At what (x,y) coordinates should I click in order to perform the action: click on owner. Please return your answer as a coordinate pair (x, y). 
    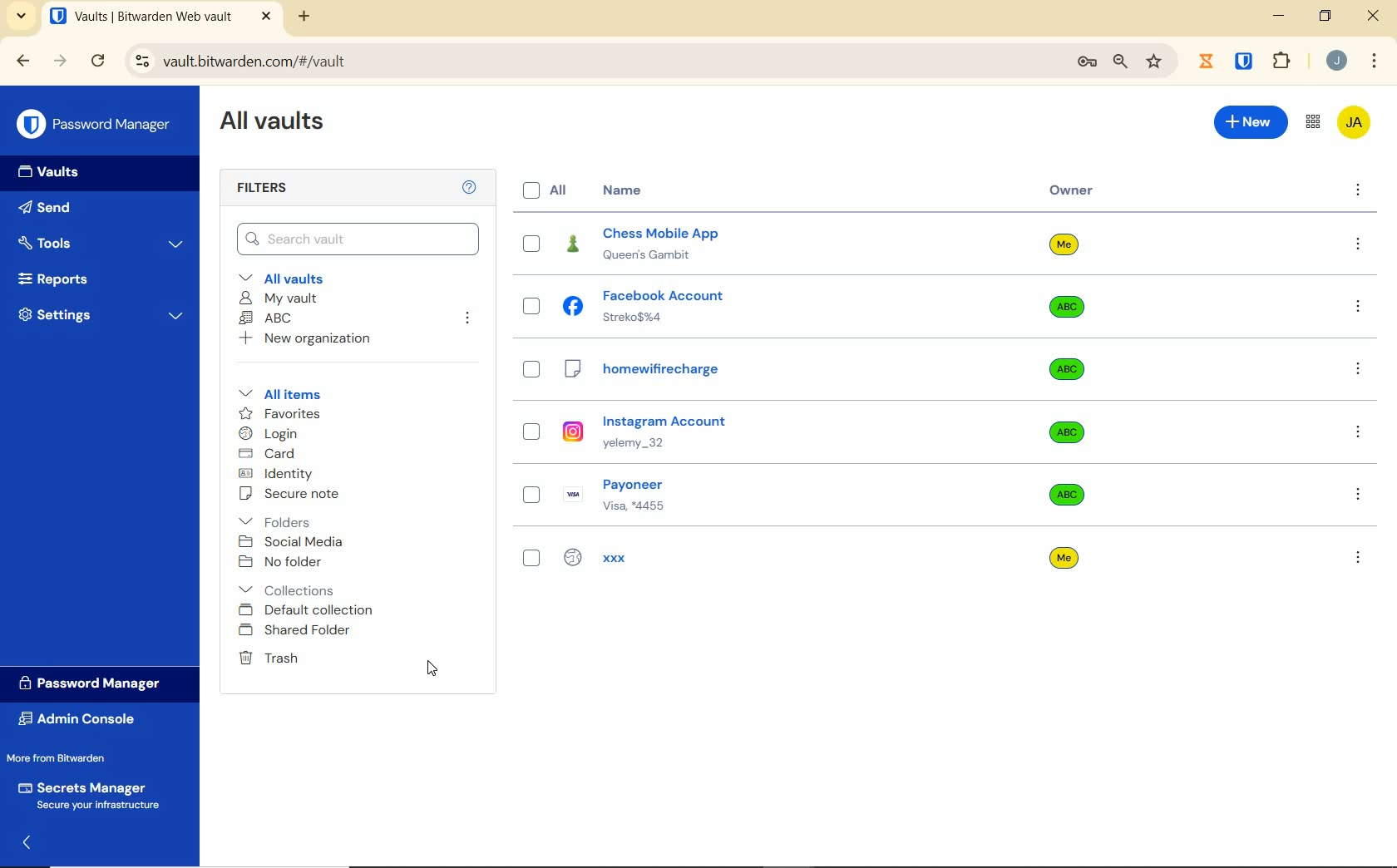
    Looking at the image, I should click on (1072, 192).